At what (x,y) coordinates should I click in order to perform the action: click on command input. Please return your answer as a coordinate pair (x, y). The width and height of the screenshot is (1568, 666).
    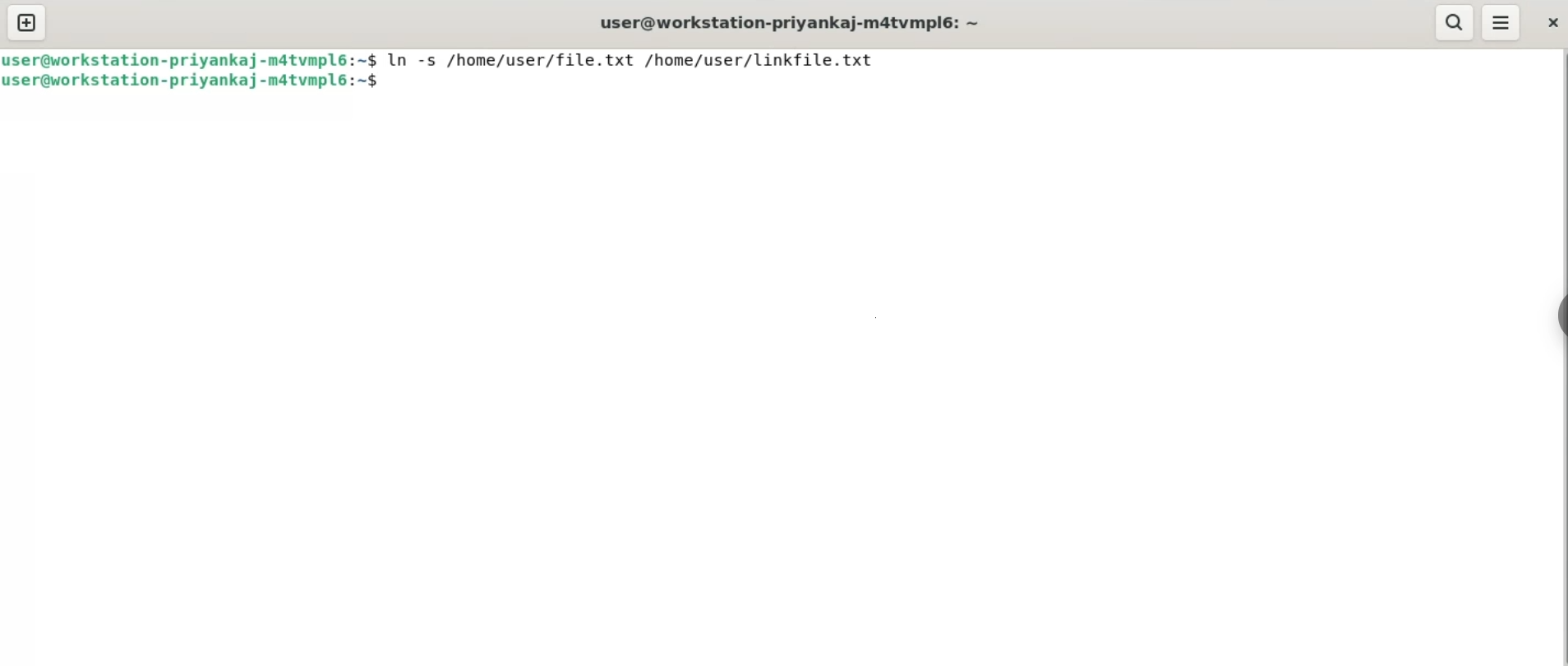
    Looking at the image, I should click on (971, 82).